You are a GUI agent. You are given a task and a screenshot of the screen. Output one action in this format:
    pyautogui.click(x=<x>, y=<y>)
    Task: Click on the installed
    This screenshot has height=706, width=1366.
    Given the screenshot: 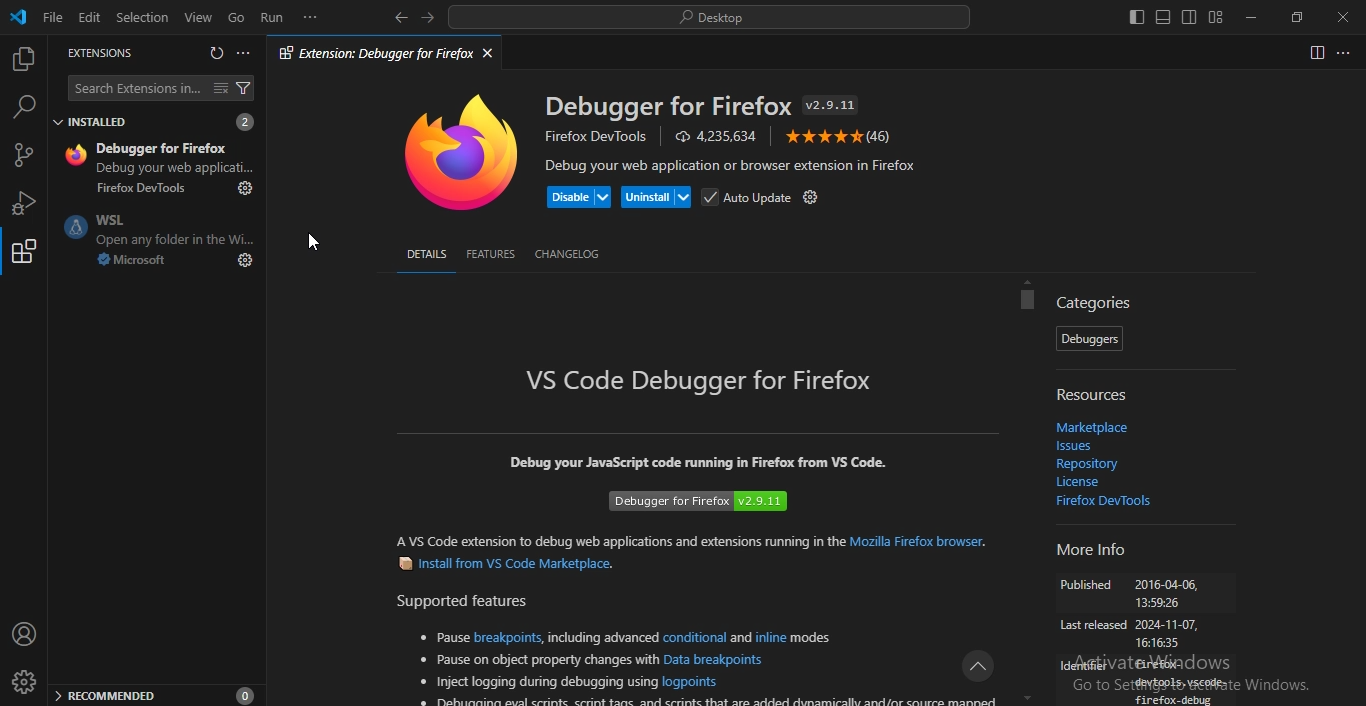 What is the action you would take?
    pyautogui.click(x=155, y=121)
    